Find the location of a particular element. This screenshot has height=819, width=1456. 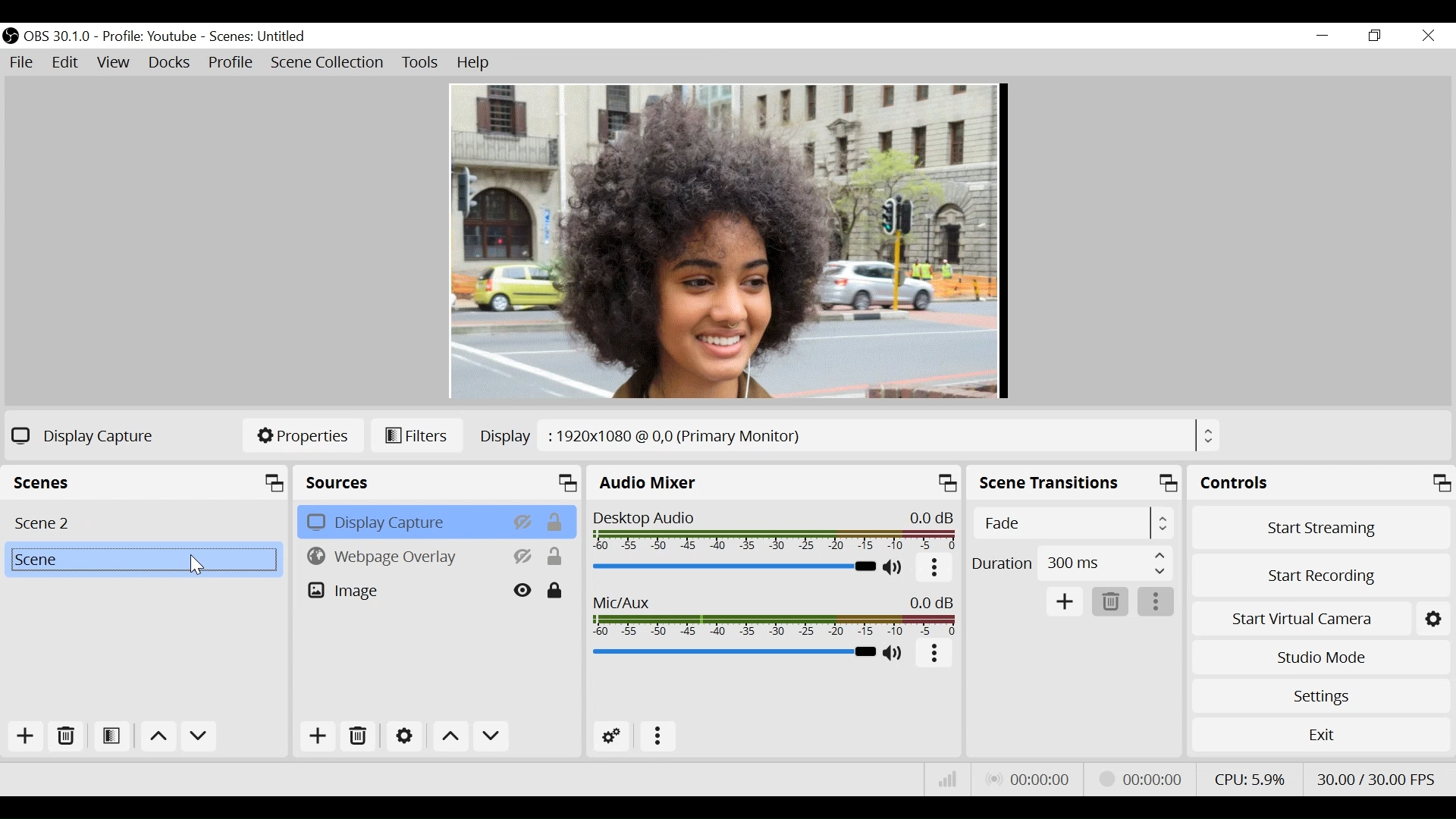

Settings is located at coordinates (403, 735).